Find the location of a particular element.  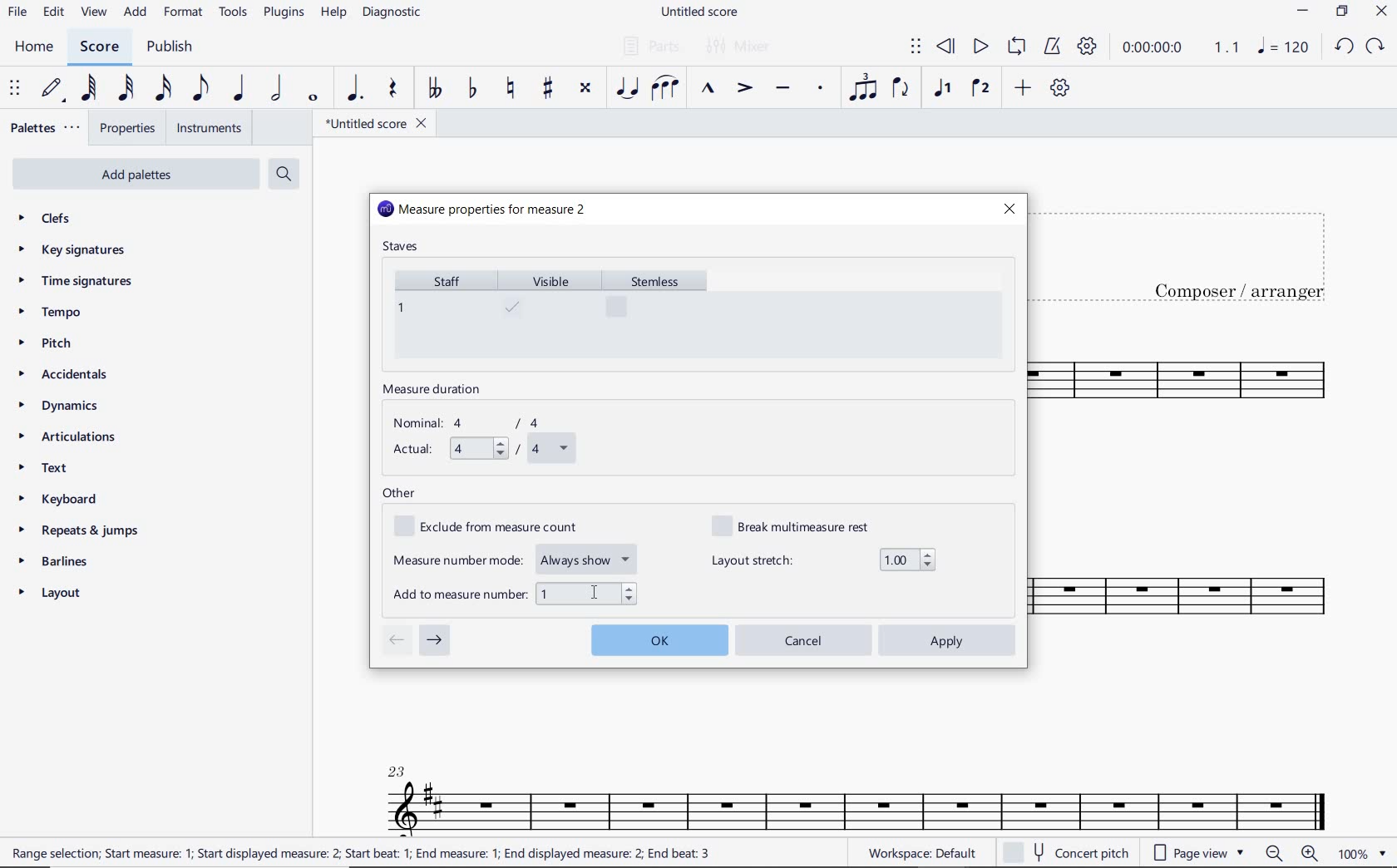

visible is located at coordinates (550, 313).